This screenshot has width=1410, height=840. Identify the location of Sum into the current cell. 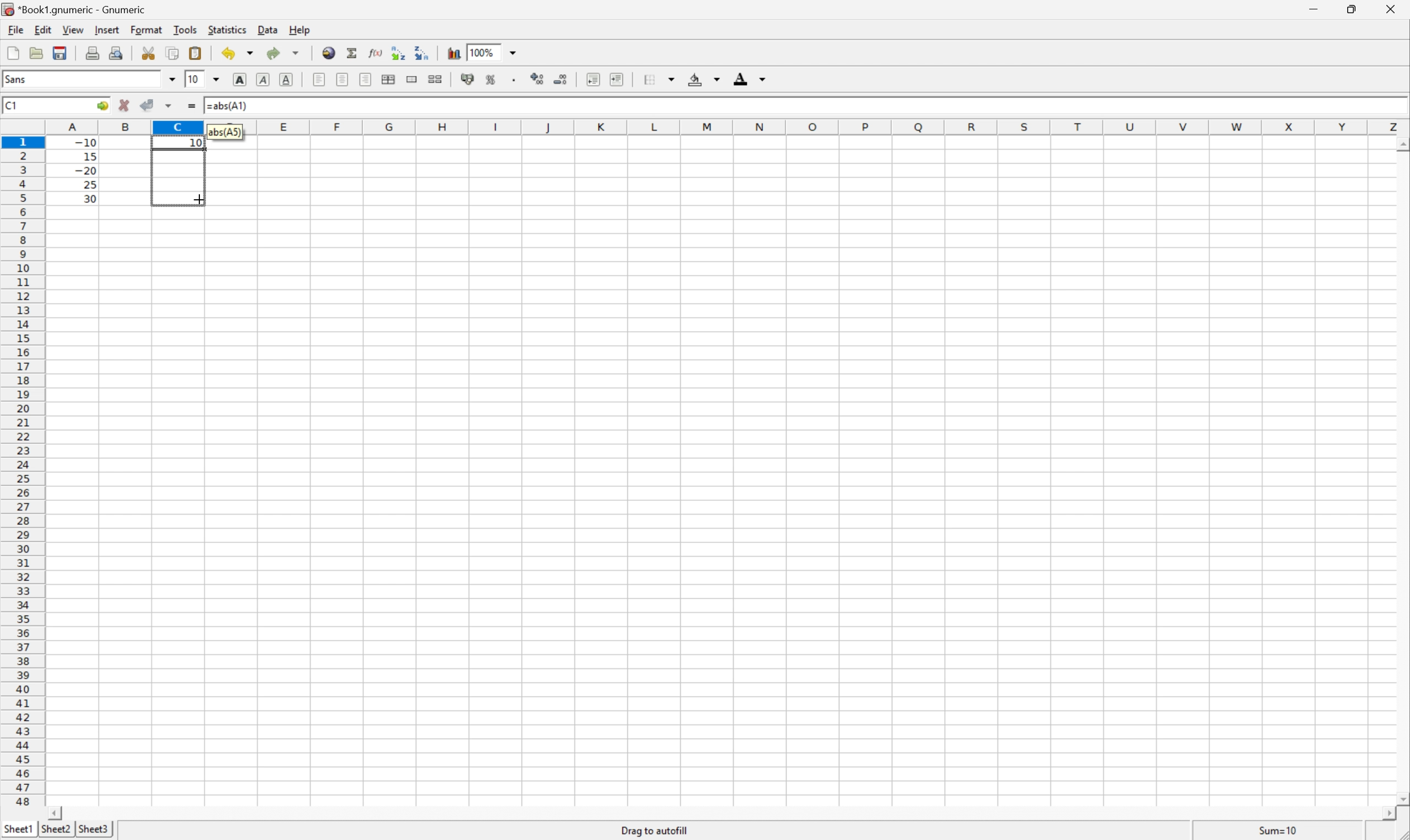
(353, 53).